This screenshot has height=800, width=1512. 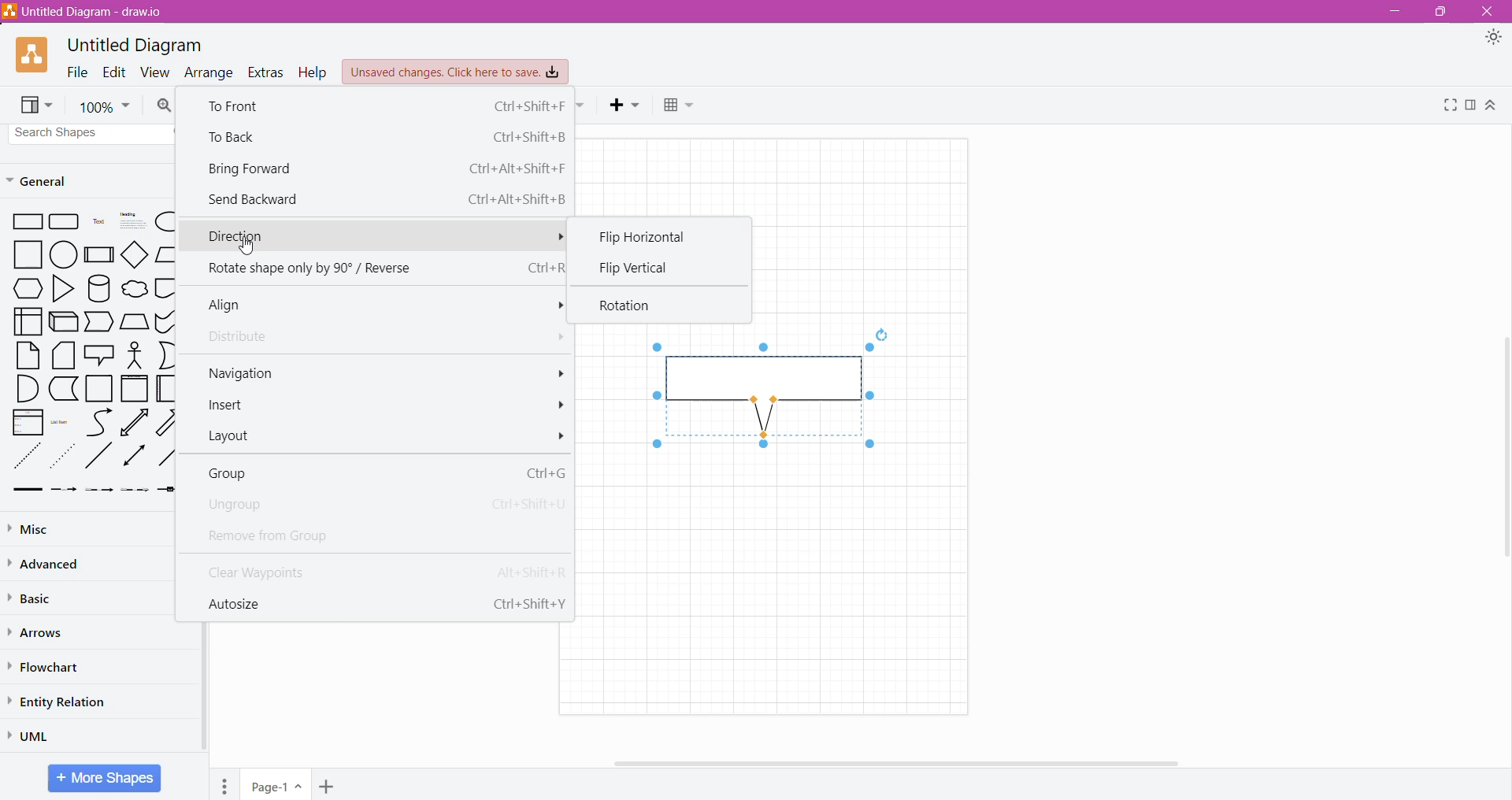 I want to click on Arrange, so click(x=209, y=72).